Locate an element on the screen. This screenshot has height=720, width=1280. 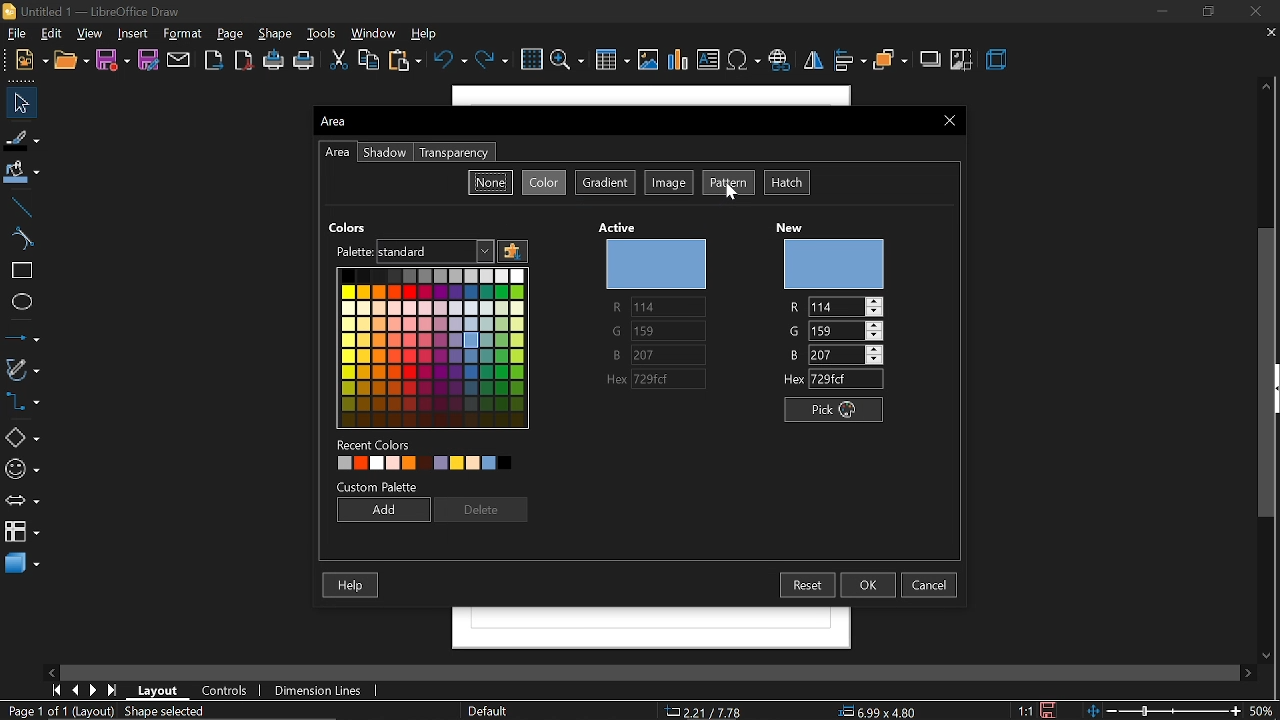
print is located at coordinates (306, 63).